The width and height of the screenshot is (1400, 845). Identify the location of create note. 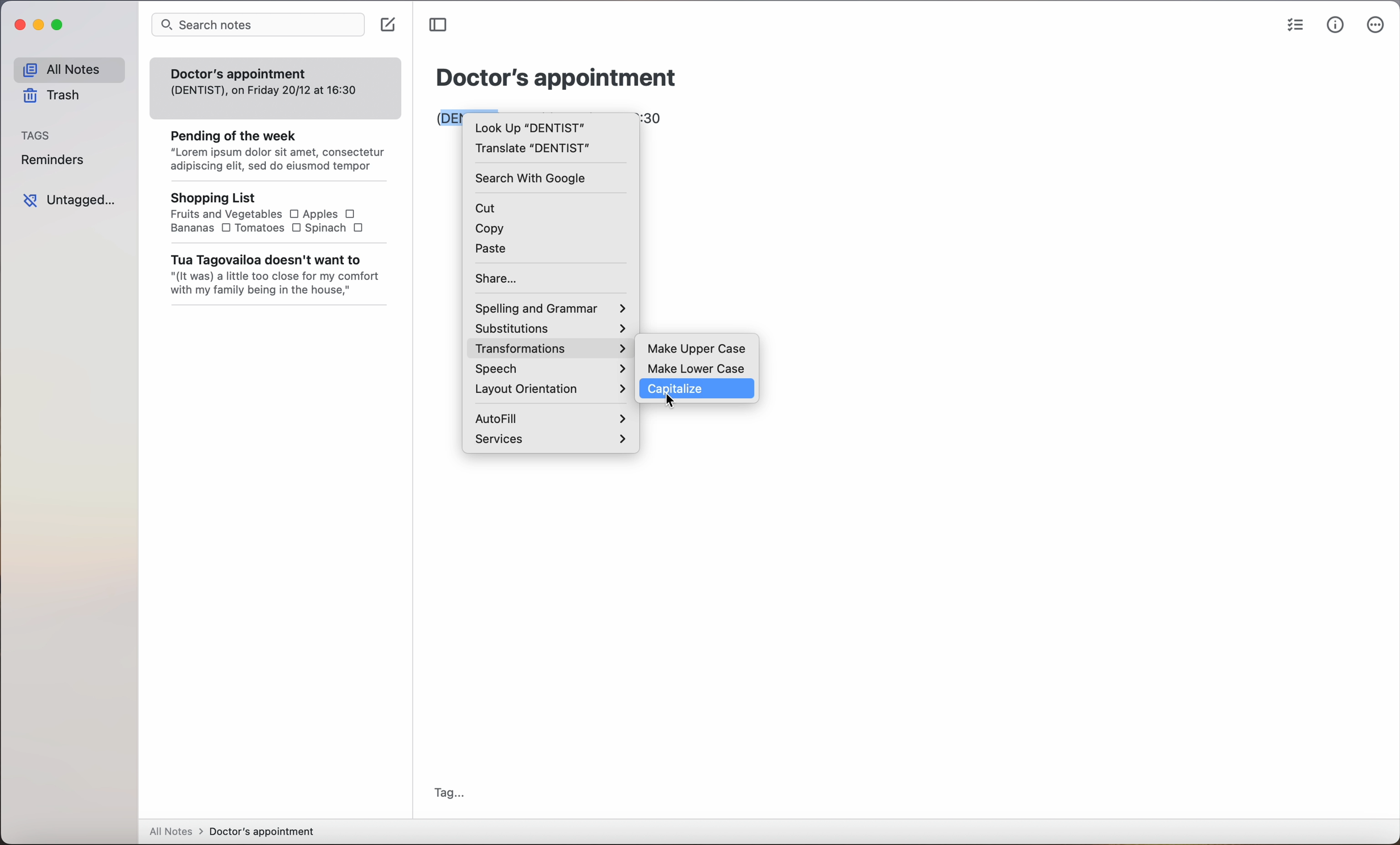
(391, 26).